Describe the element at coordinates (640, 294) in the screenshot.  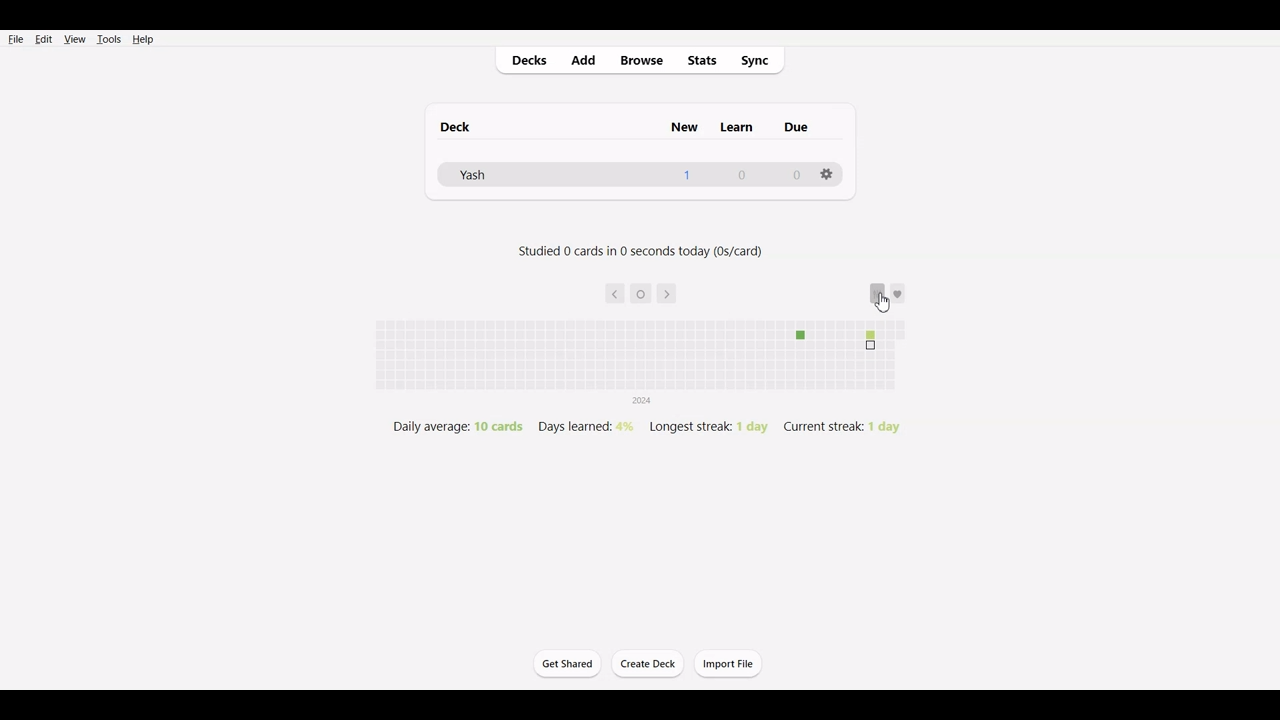
I see `Today` at that location.